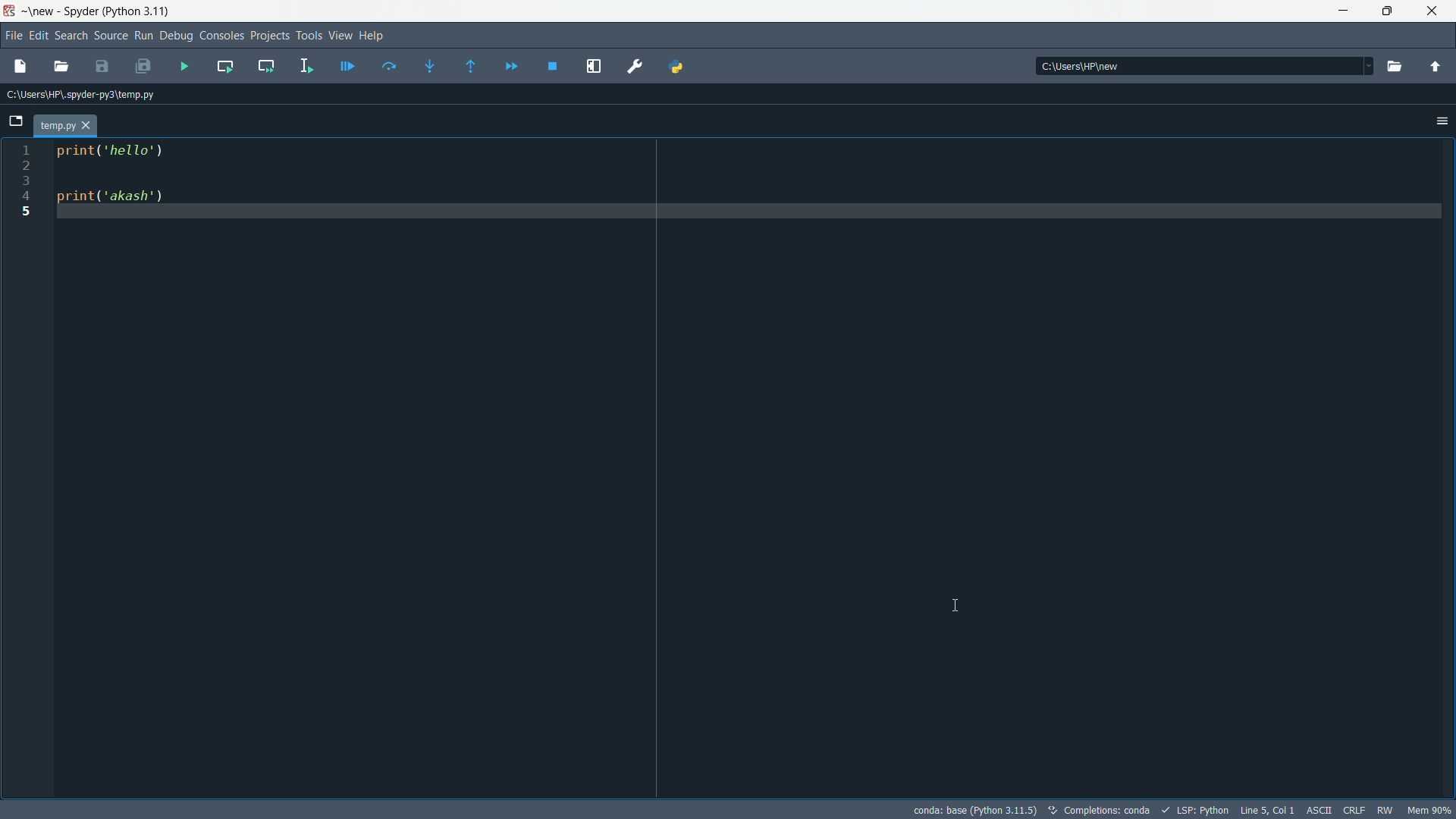  I want to click on edit menu, so click(38, 36).